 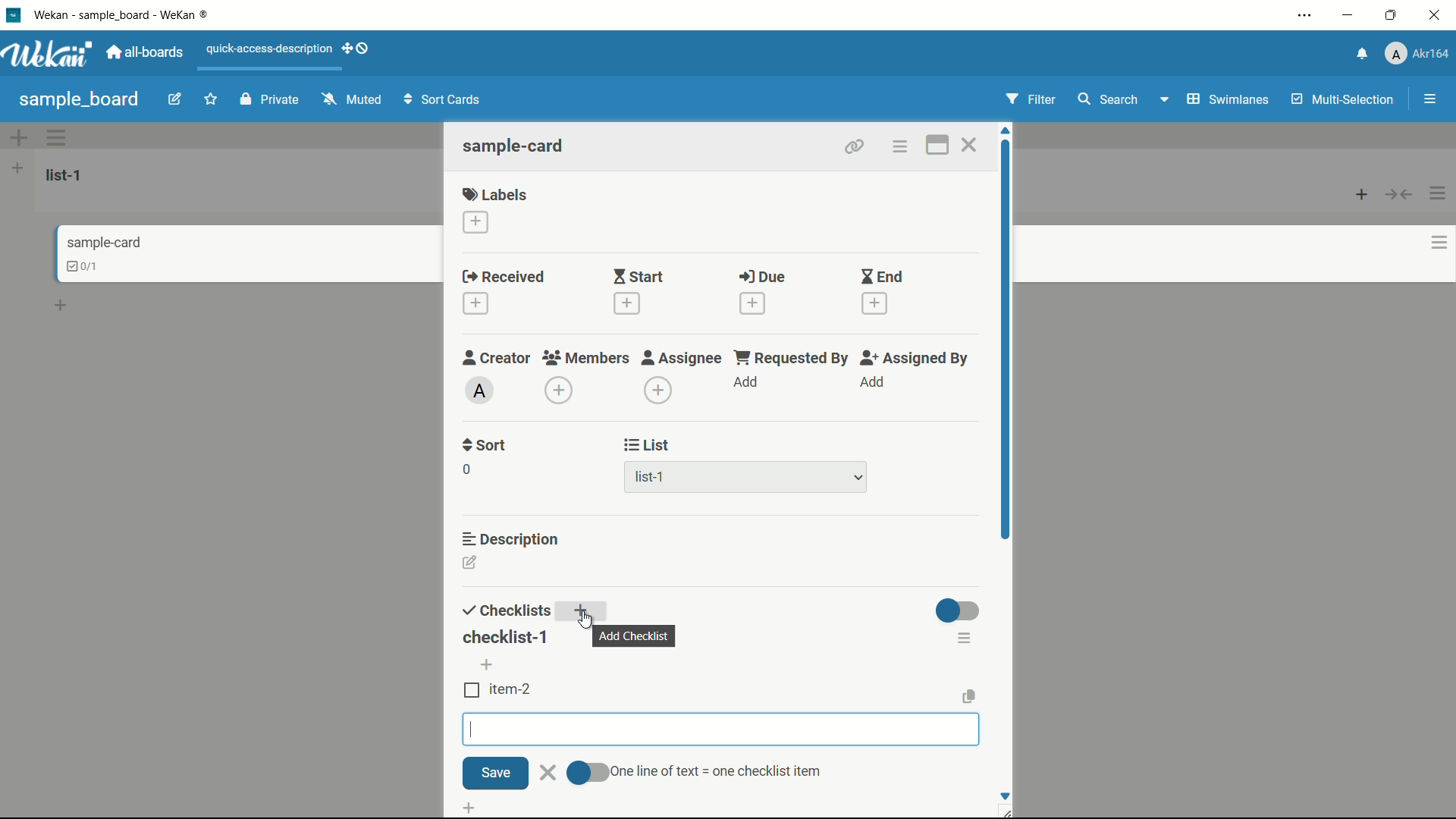 I want to click on card name, so click(x=104, y=242).